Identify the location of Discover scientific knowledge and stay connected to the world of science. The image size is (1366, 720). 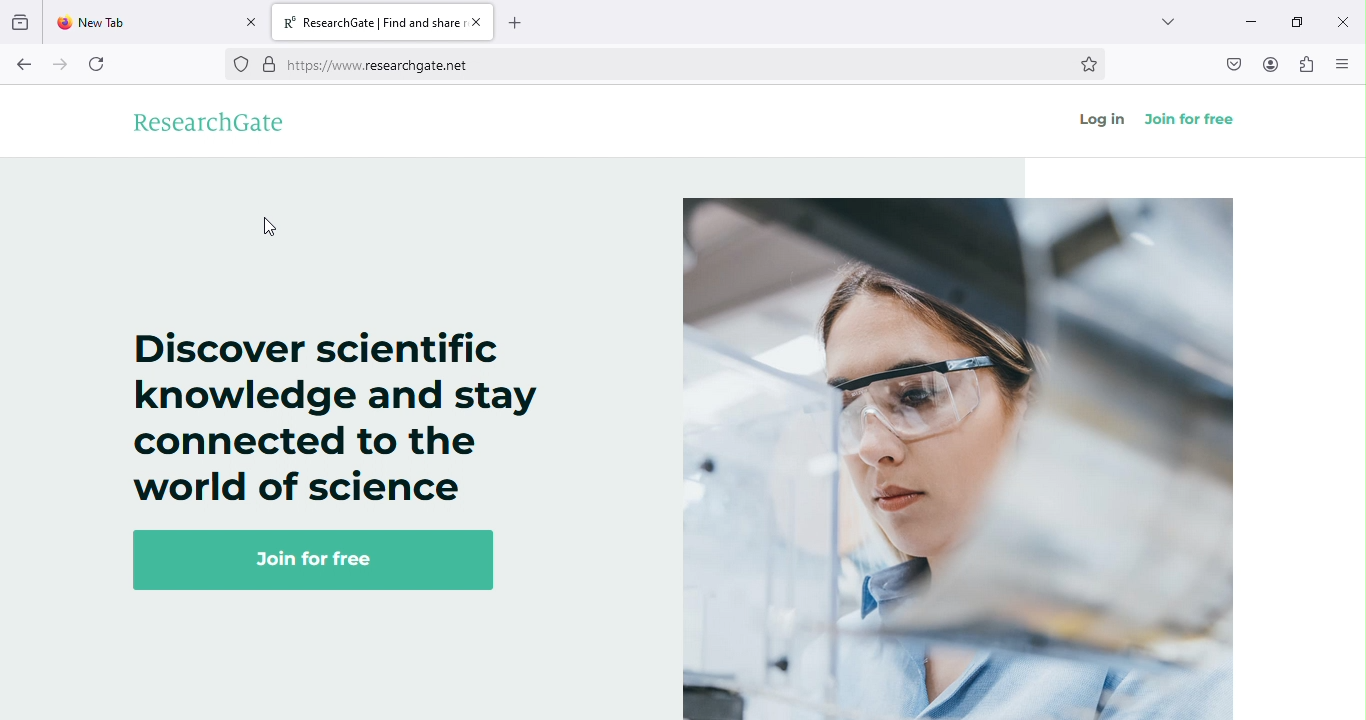
(335, 416).